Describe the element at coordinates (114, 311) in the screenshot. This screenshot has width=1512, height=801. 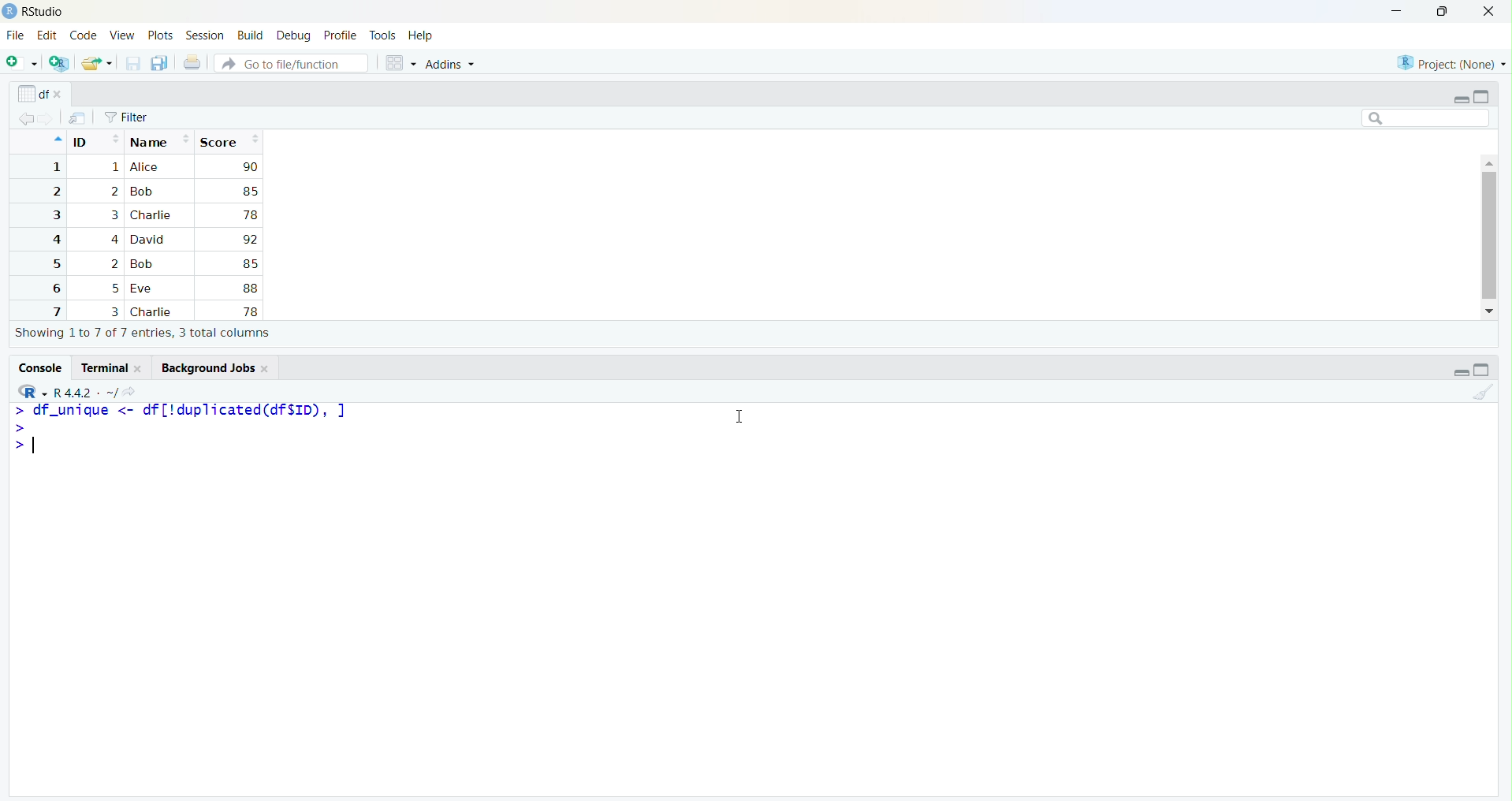
I see `3` at that location.